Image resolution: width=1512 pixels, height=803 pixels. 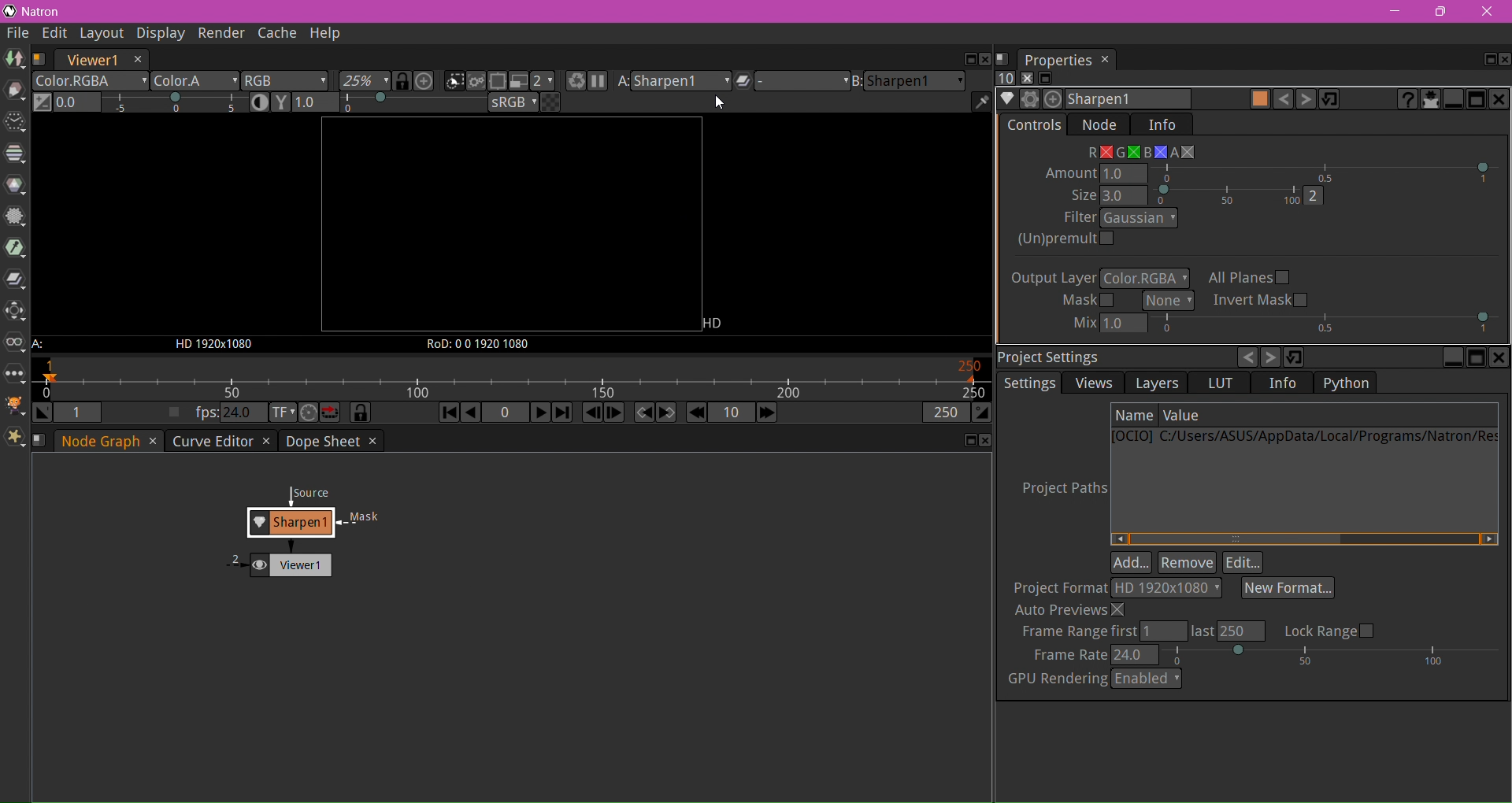 What do you see at coordinates (15, 313) in the screenshot?
I see `Transform` at bounding box center [15, 313].